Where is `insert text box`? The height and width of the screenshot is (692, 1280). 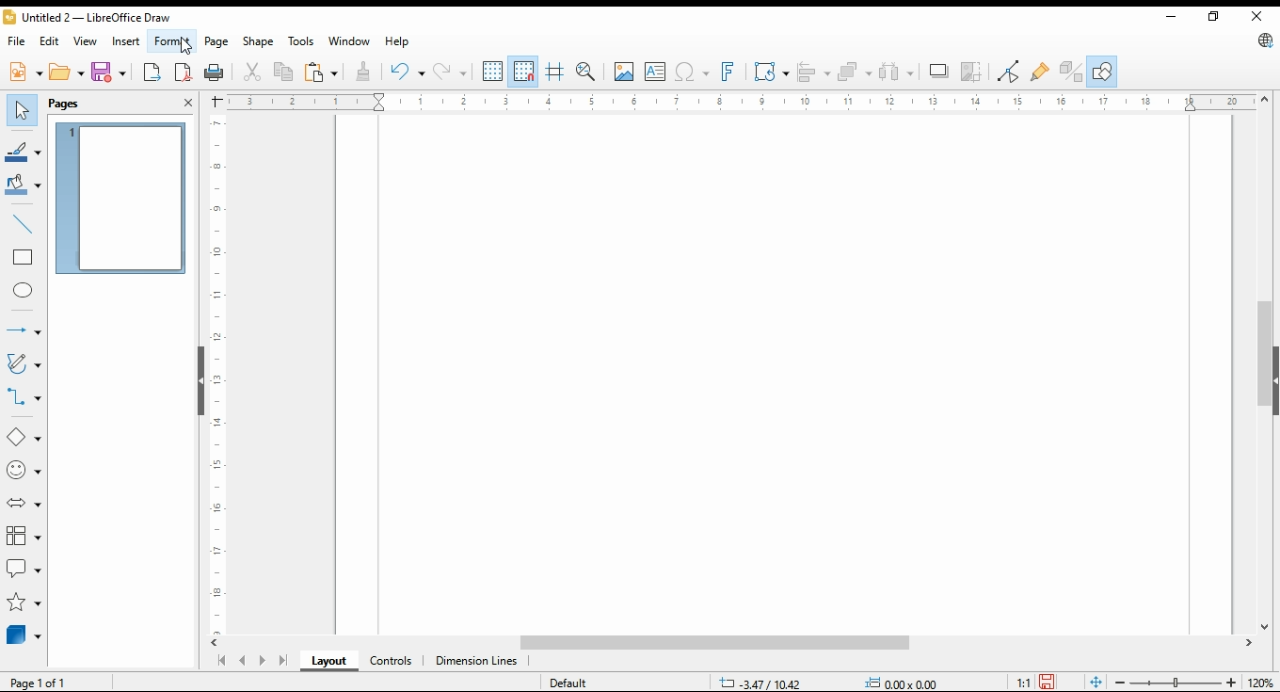
insert text box is located at coordinates (655, 71).